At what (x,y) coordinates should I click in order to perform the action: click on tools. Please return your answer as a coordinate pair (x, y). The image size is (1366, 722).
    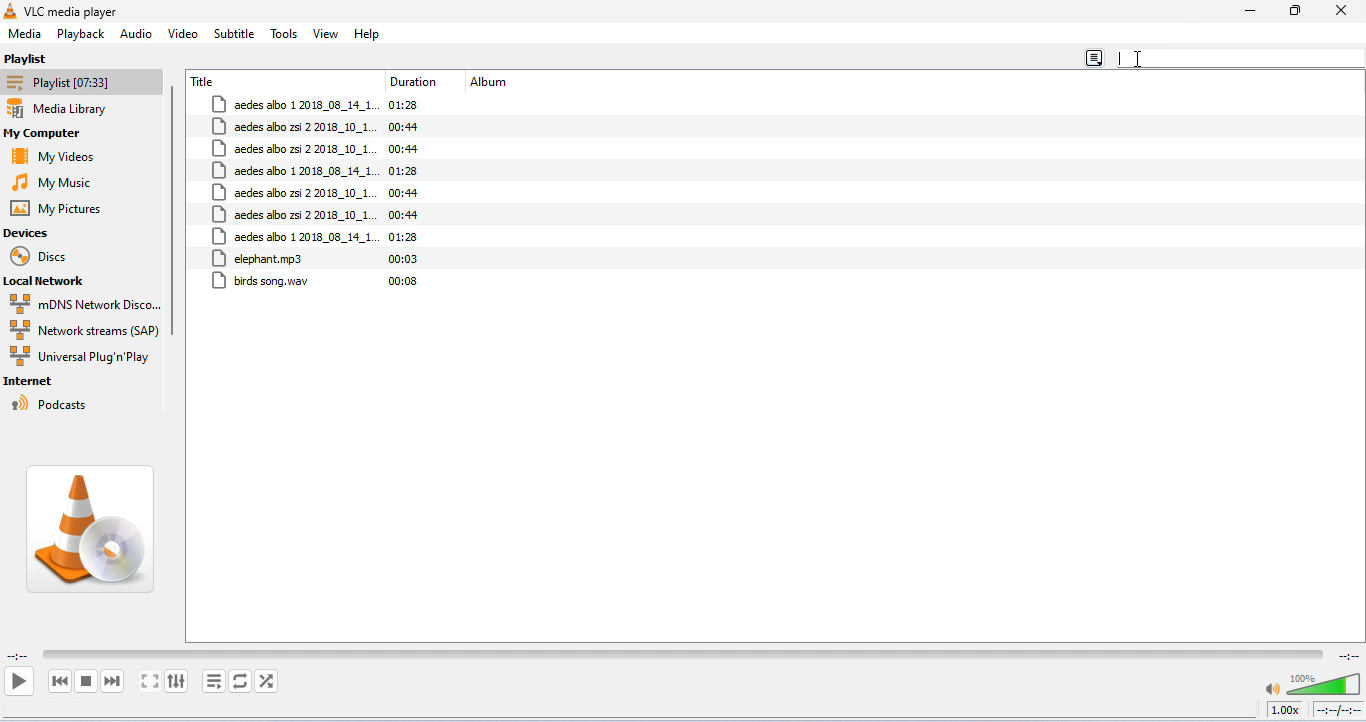
    Looking at the image, I should click on (285, 34).